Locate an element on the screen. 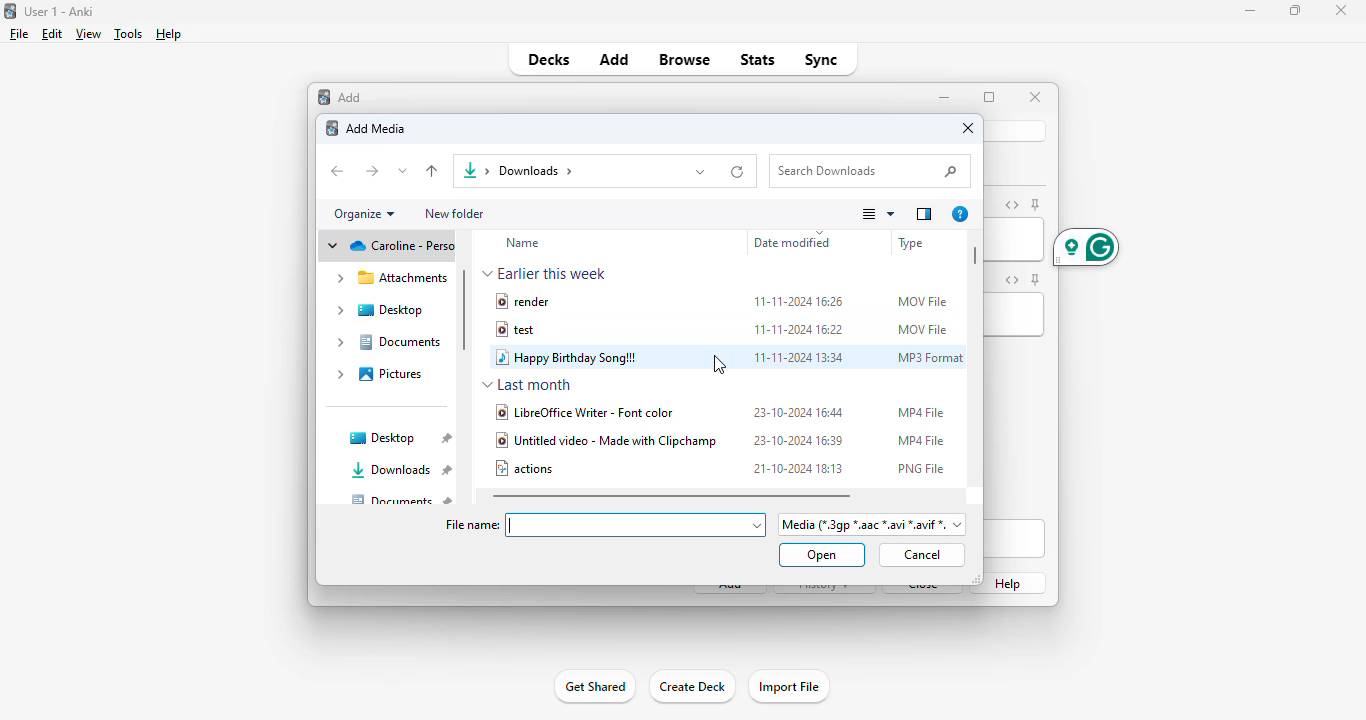  get help is located at coordinates (960, 214).